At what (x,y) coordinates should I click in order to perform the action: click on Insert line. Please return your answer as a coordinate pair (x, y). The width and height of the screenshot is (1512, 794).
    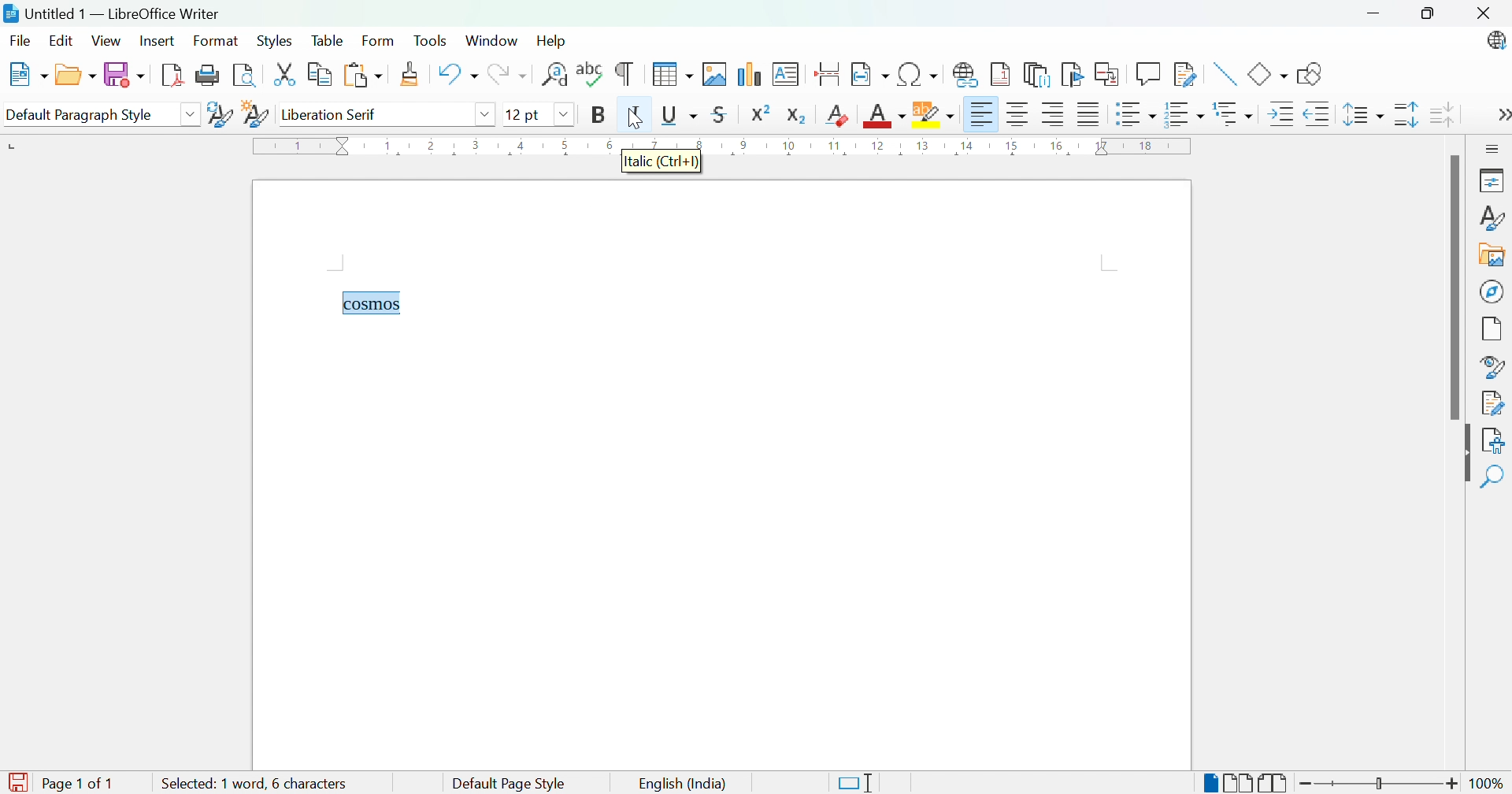
    Looking at the image, I should click on (1227, 74).